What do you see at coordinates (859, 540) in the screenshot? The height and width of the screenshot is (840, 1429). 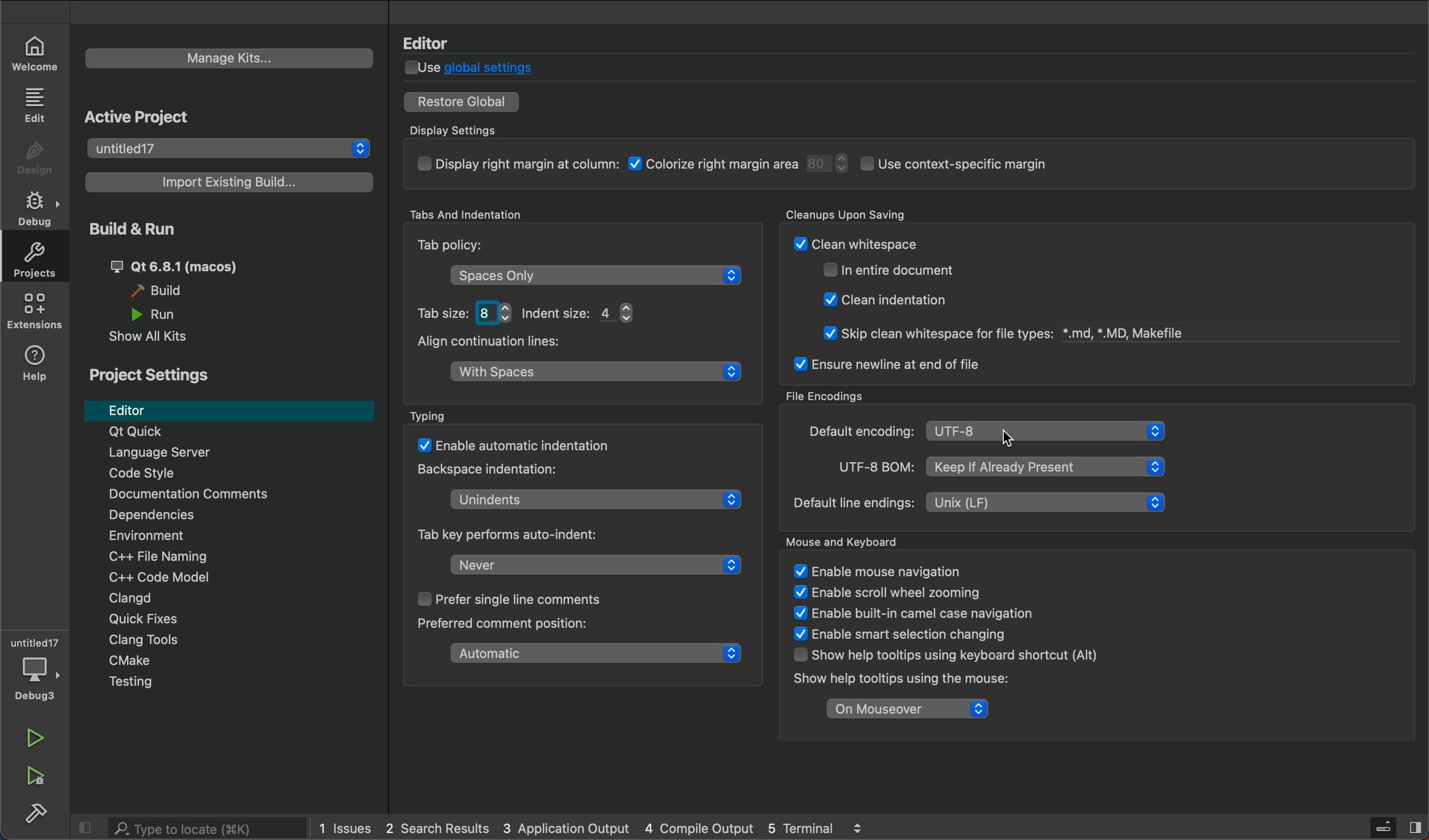 I see `Mouse ad Keyboard` at bounding box center [859, 540].